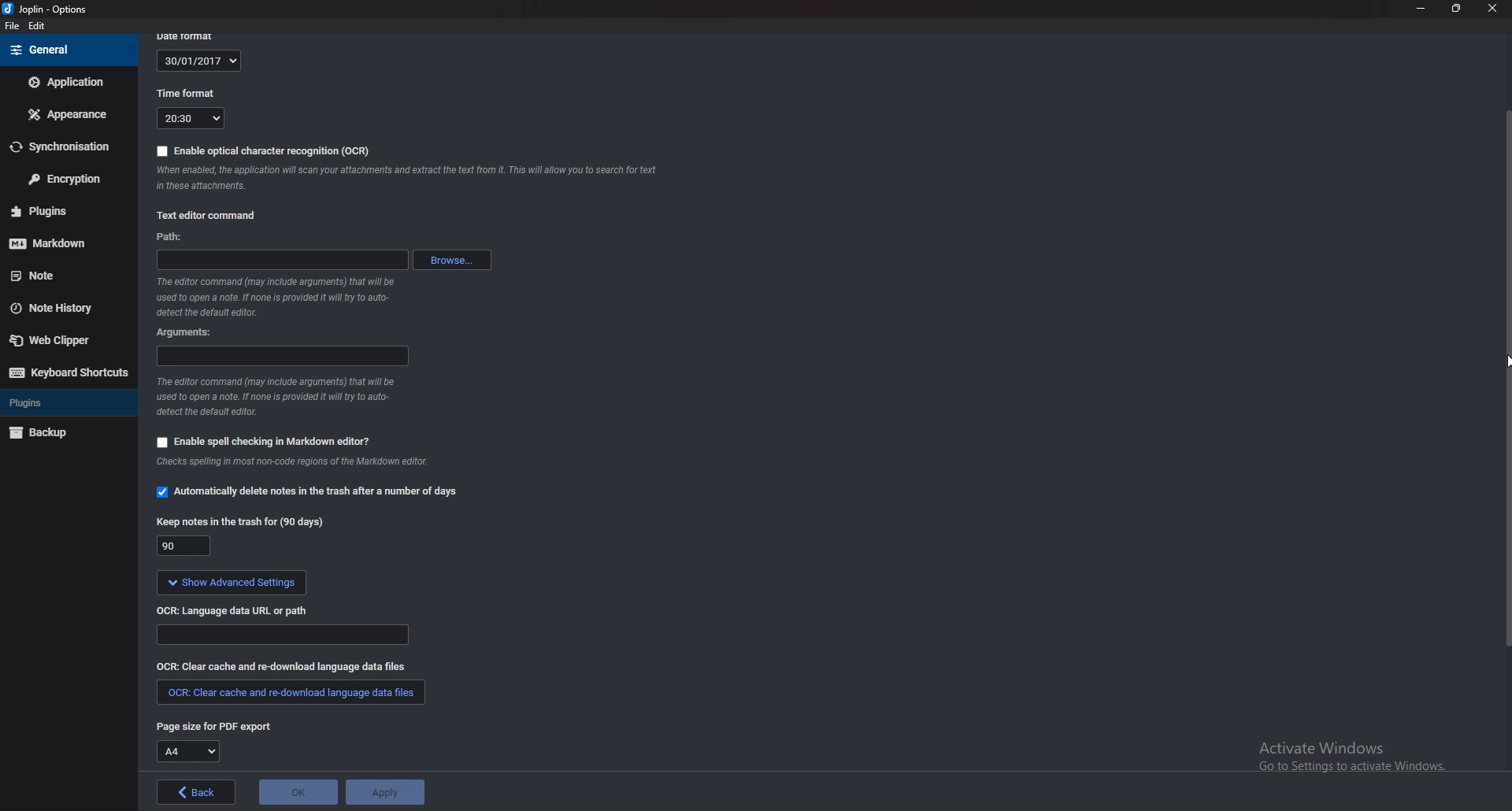 The width and height of the screenshot is (1512, 811). Describe the element at coordinates (67, 50) in the screenshot. I see `General` at that location.